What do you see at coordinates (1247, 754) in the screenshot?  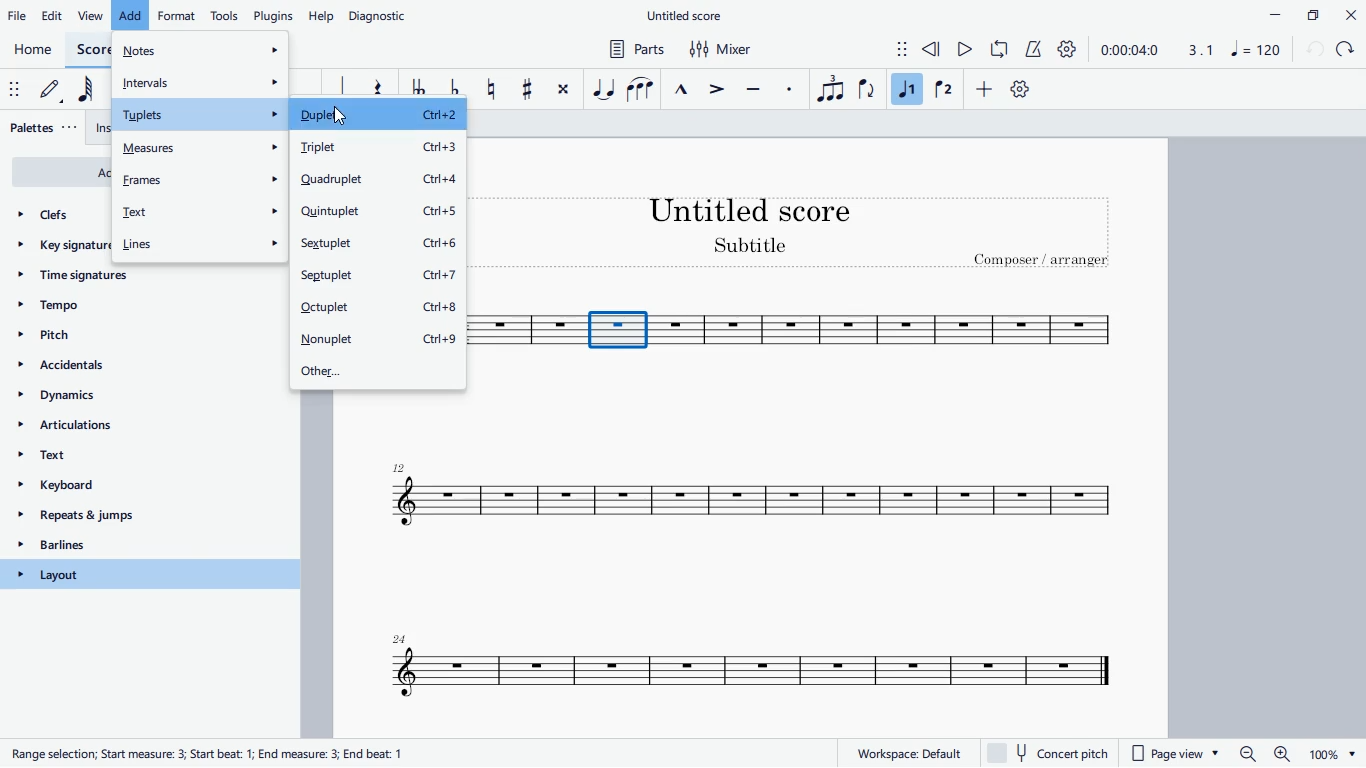 I see `zoom out` at bounding box center [1247, 754].